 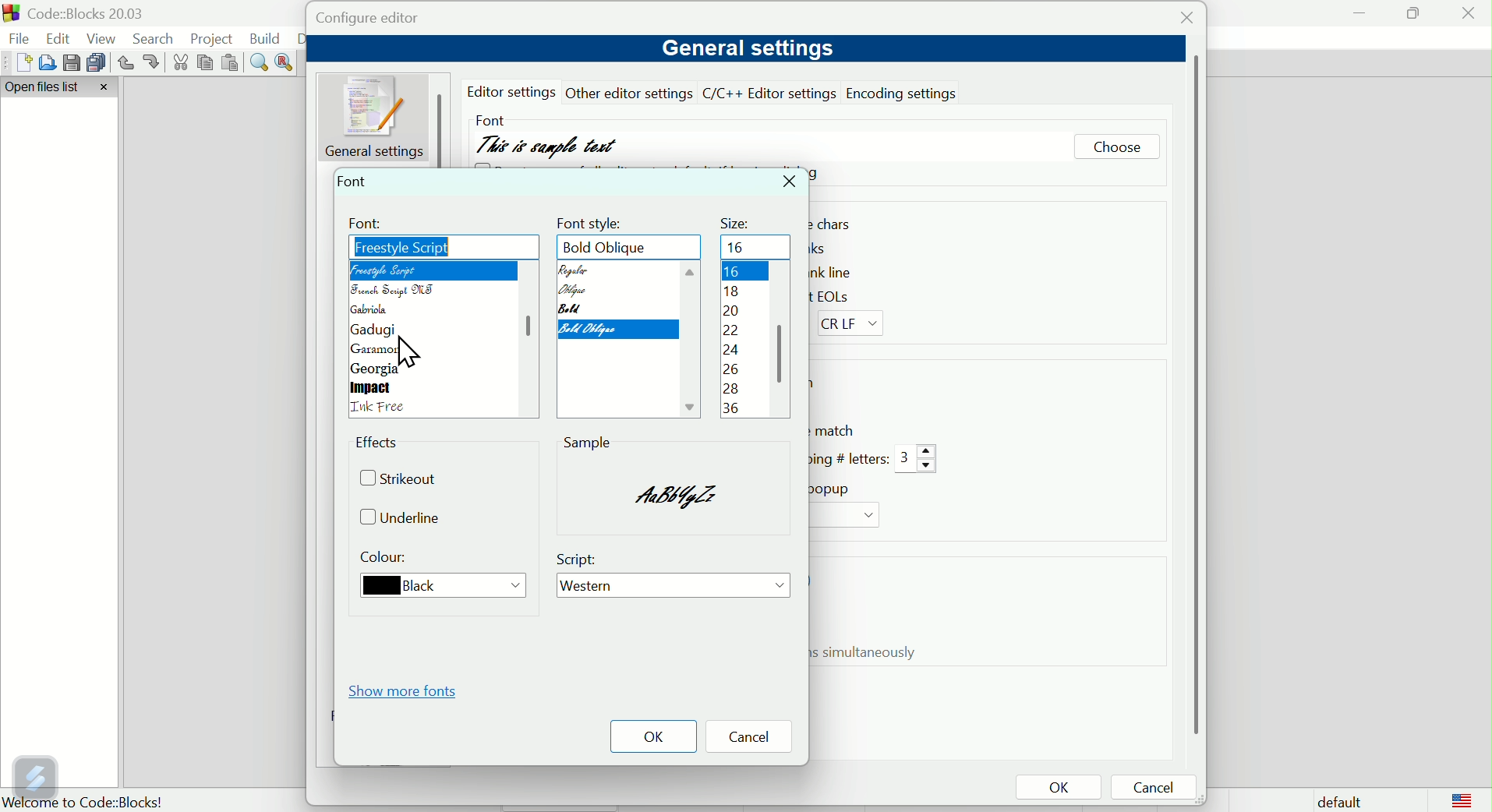 I want to click on 20, so click(x=731, y=312).